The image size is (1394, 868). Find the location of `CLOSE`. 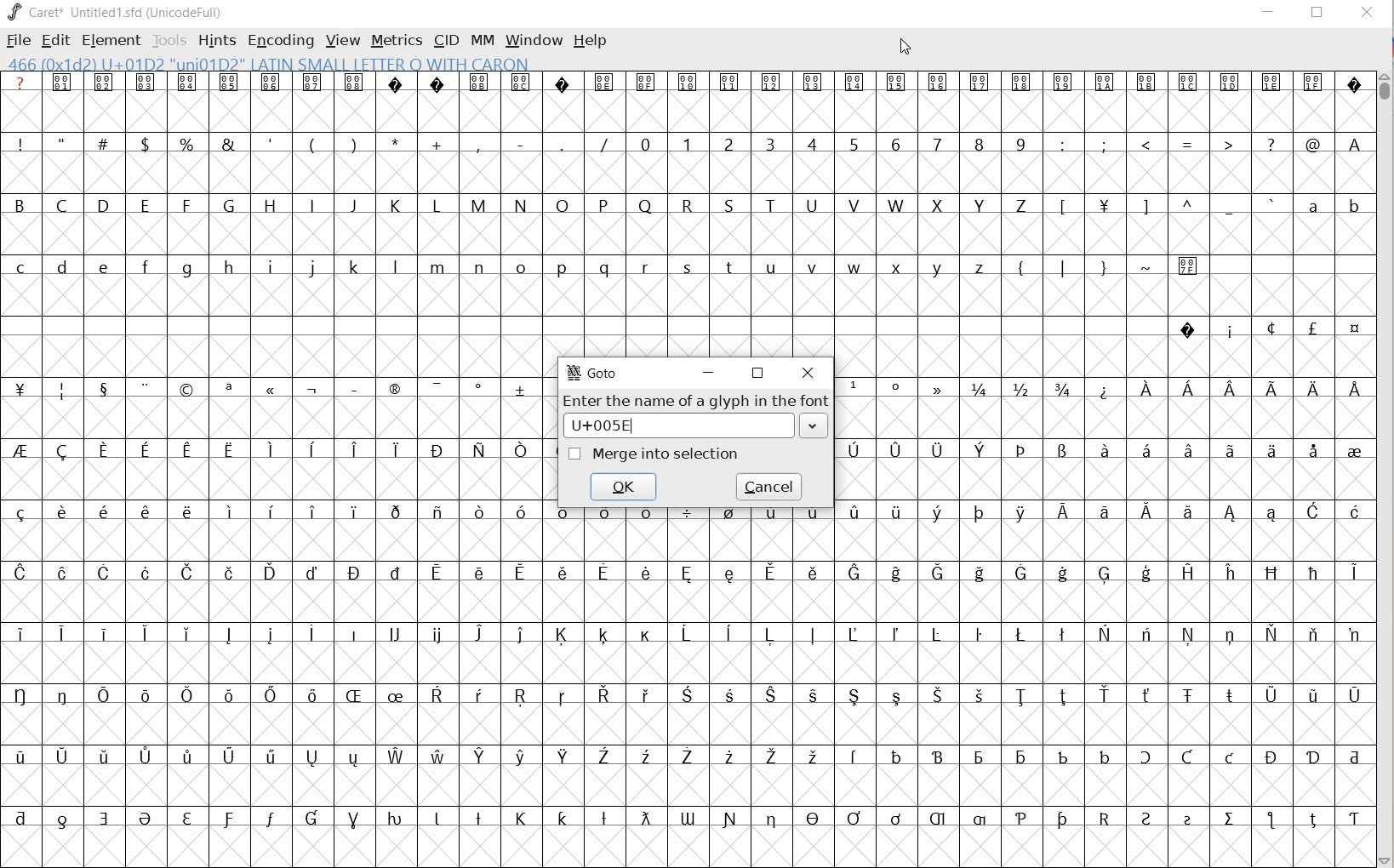

CLOSE is located at coordinates (808, 374).